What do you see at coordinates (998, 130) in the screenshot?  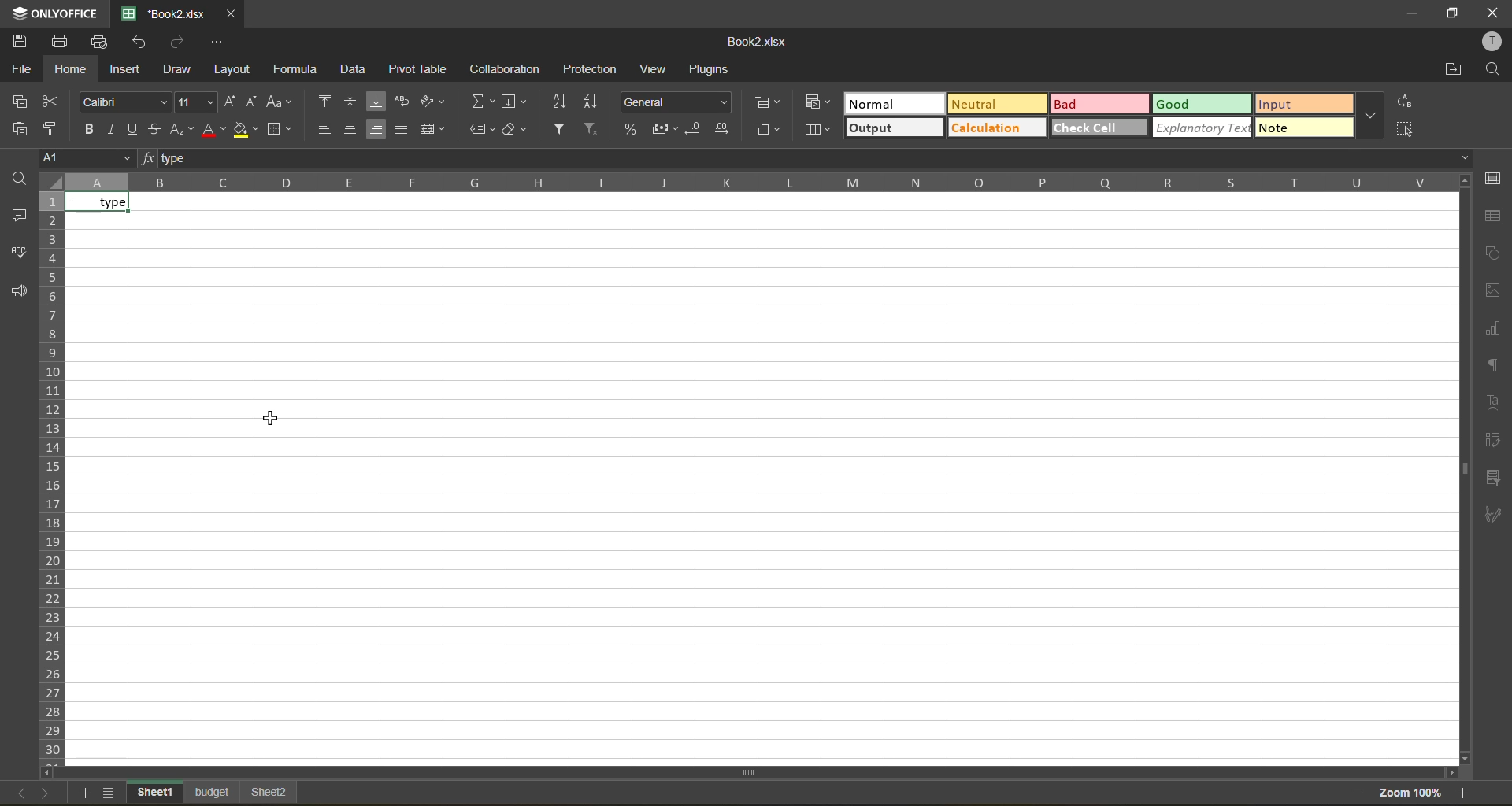 I see `calculation` at bounding box center [998, 130].